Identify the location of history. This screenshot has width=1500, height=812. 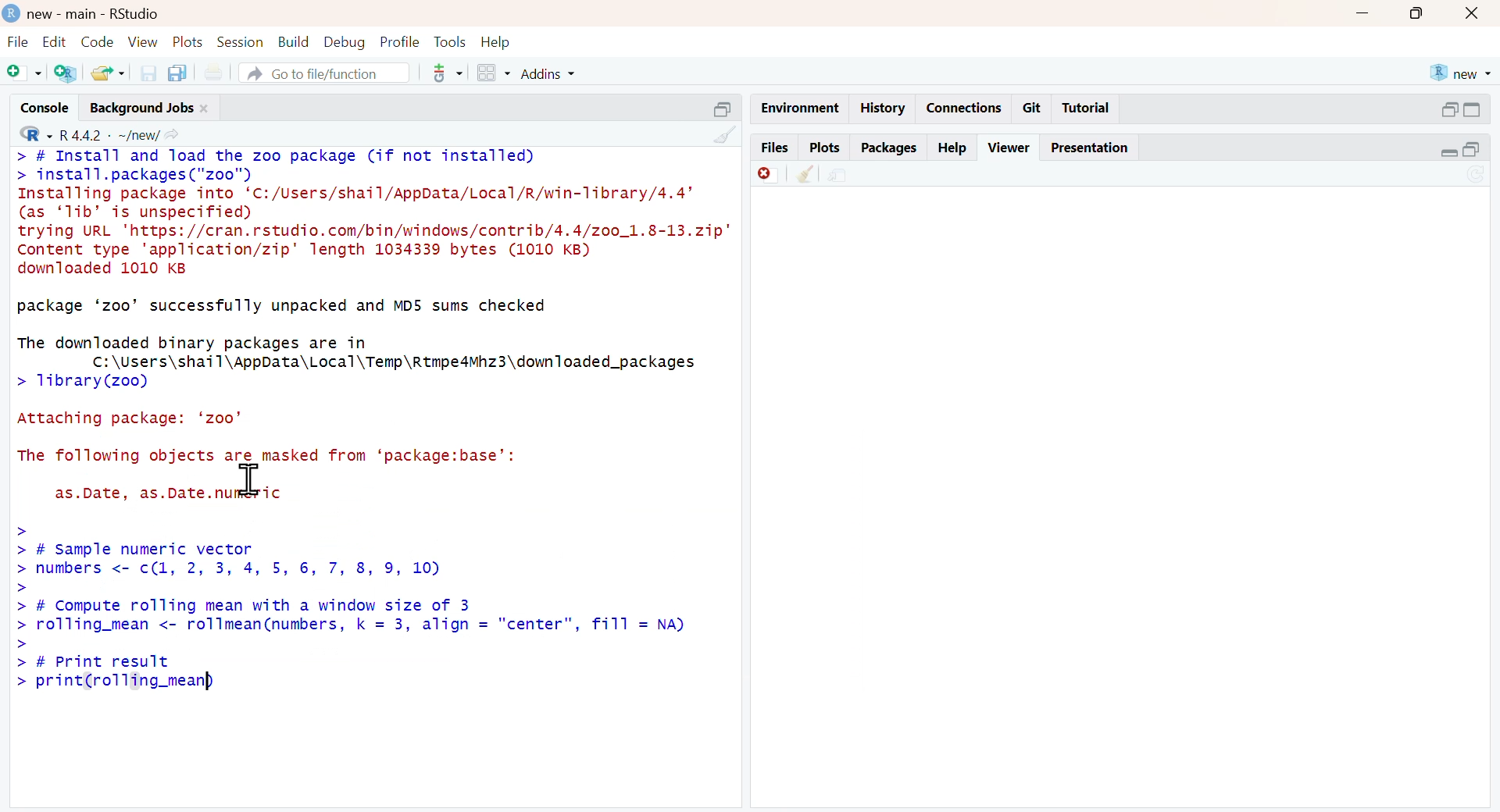
(880, 109).